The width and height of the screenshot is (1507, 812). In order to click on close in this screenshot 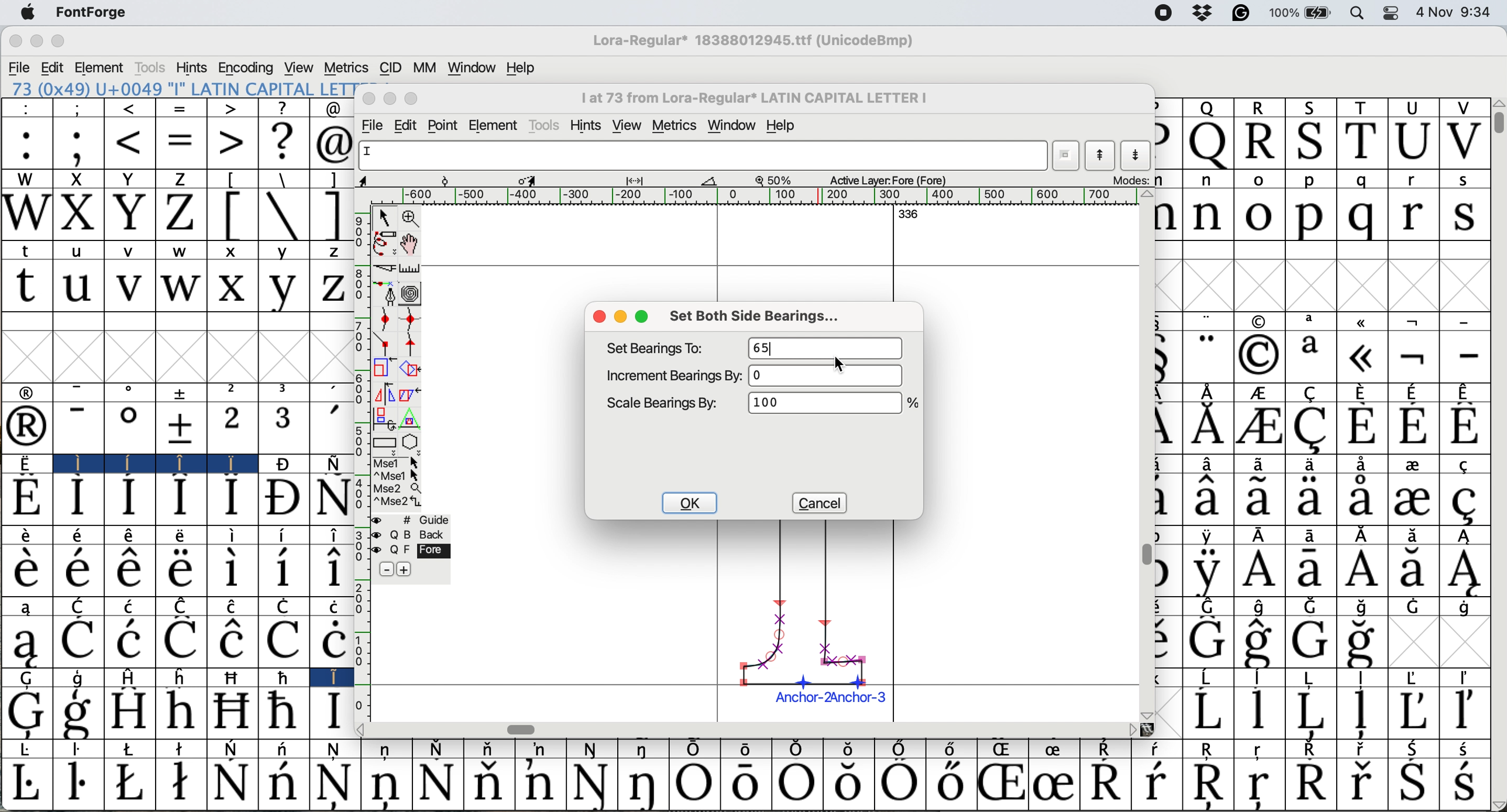, I will do `click(599, 318)`.